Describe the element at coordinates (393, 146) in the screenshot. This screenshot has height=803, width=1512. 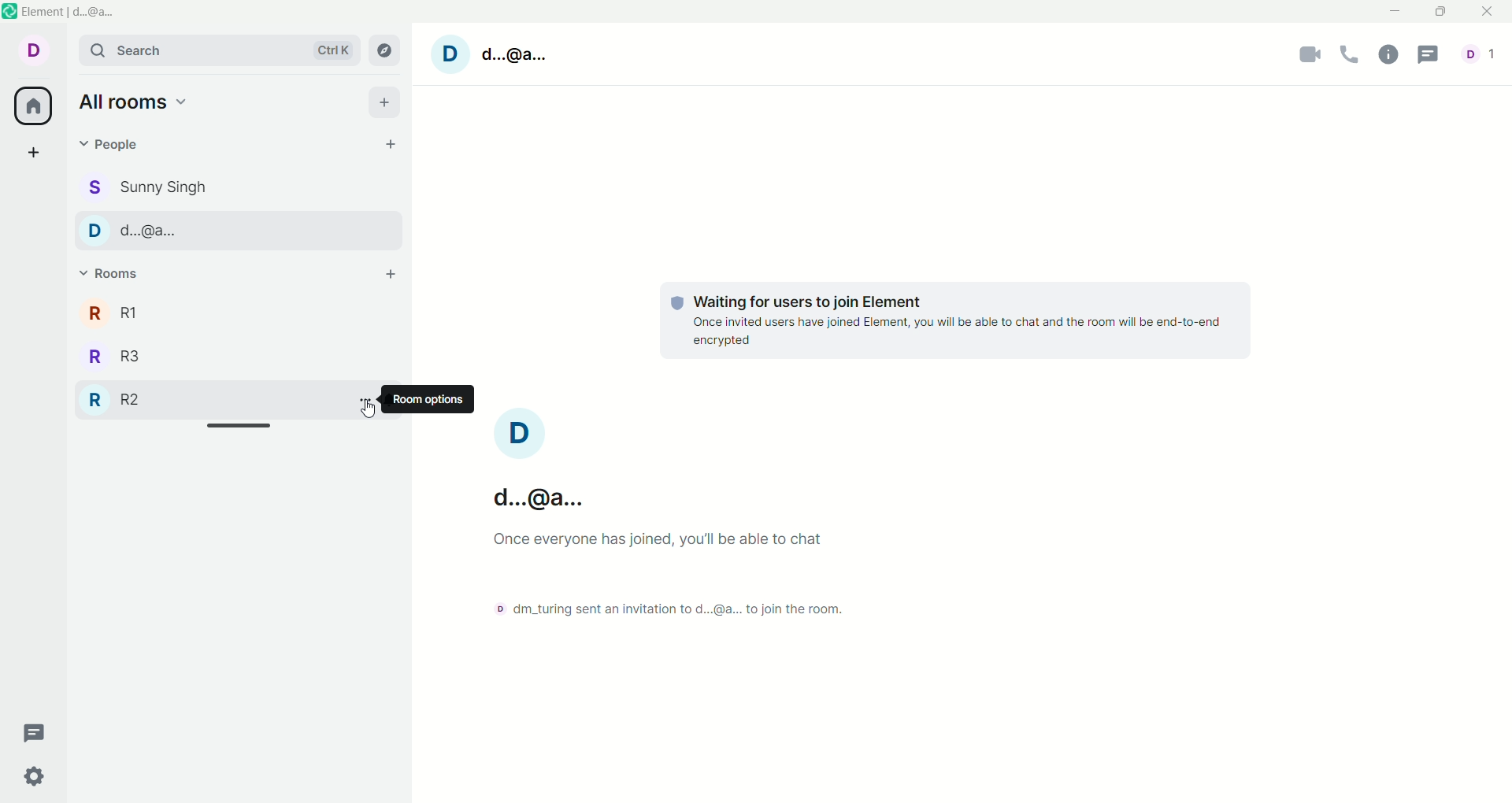
I see `start chat` at that location.